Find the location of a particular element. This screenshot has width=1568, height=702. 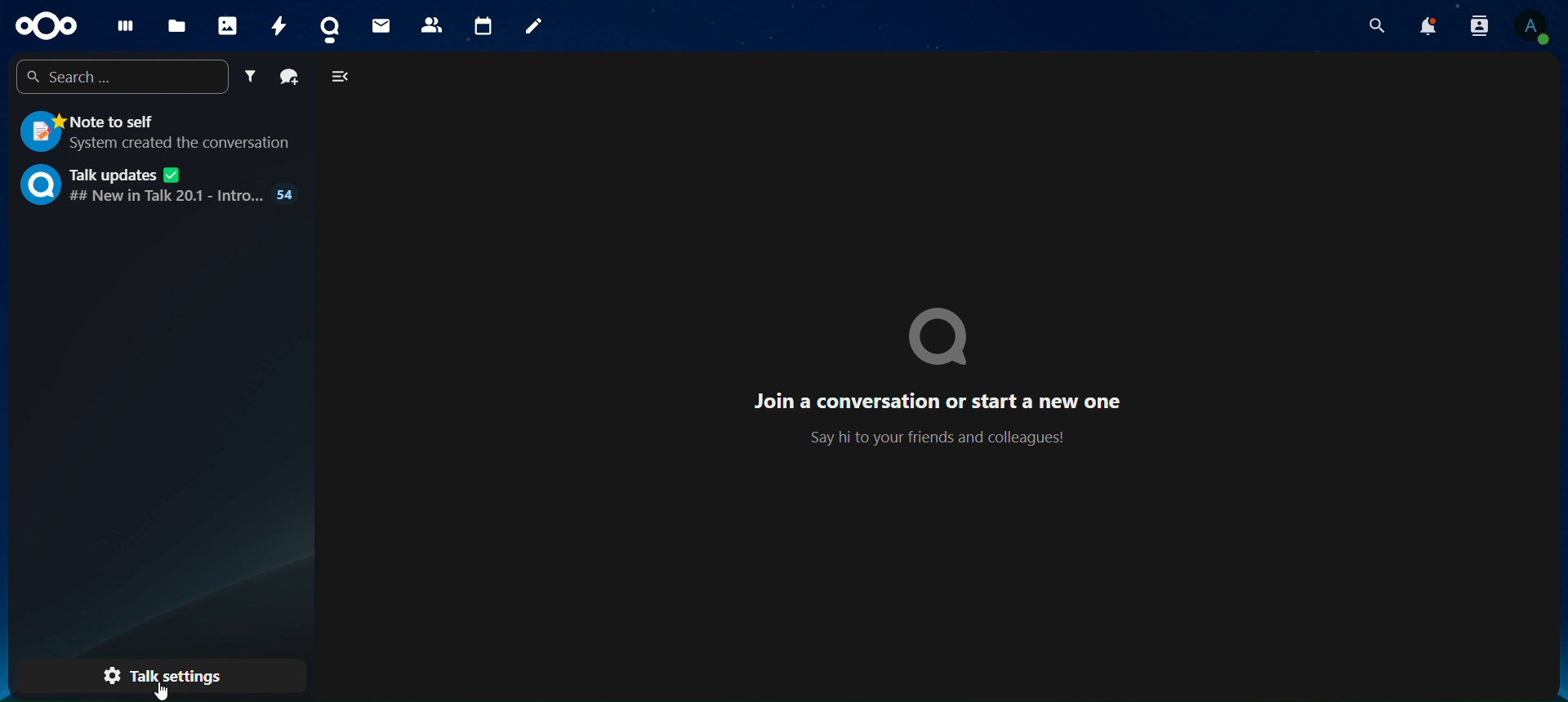

dashboard is located at coordinates (122, 25).